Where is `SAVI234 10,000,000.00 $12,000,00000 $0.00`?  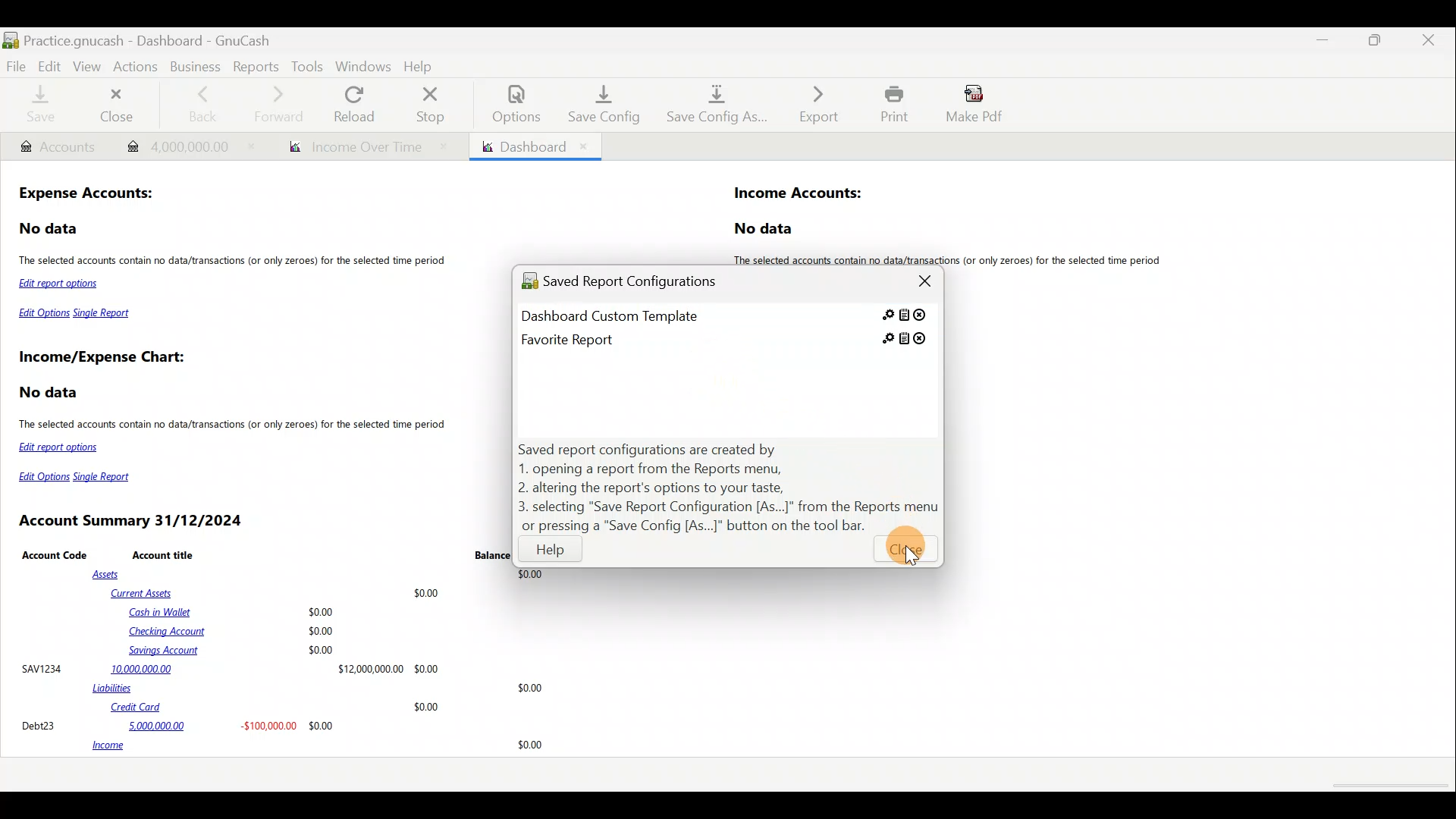 SAVI234 10,000,000.00 $12,000,00000 $0.00 is located at coordinates (230, 668).